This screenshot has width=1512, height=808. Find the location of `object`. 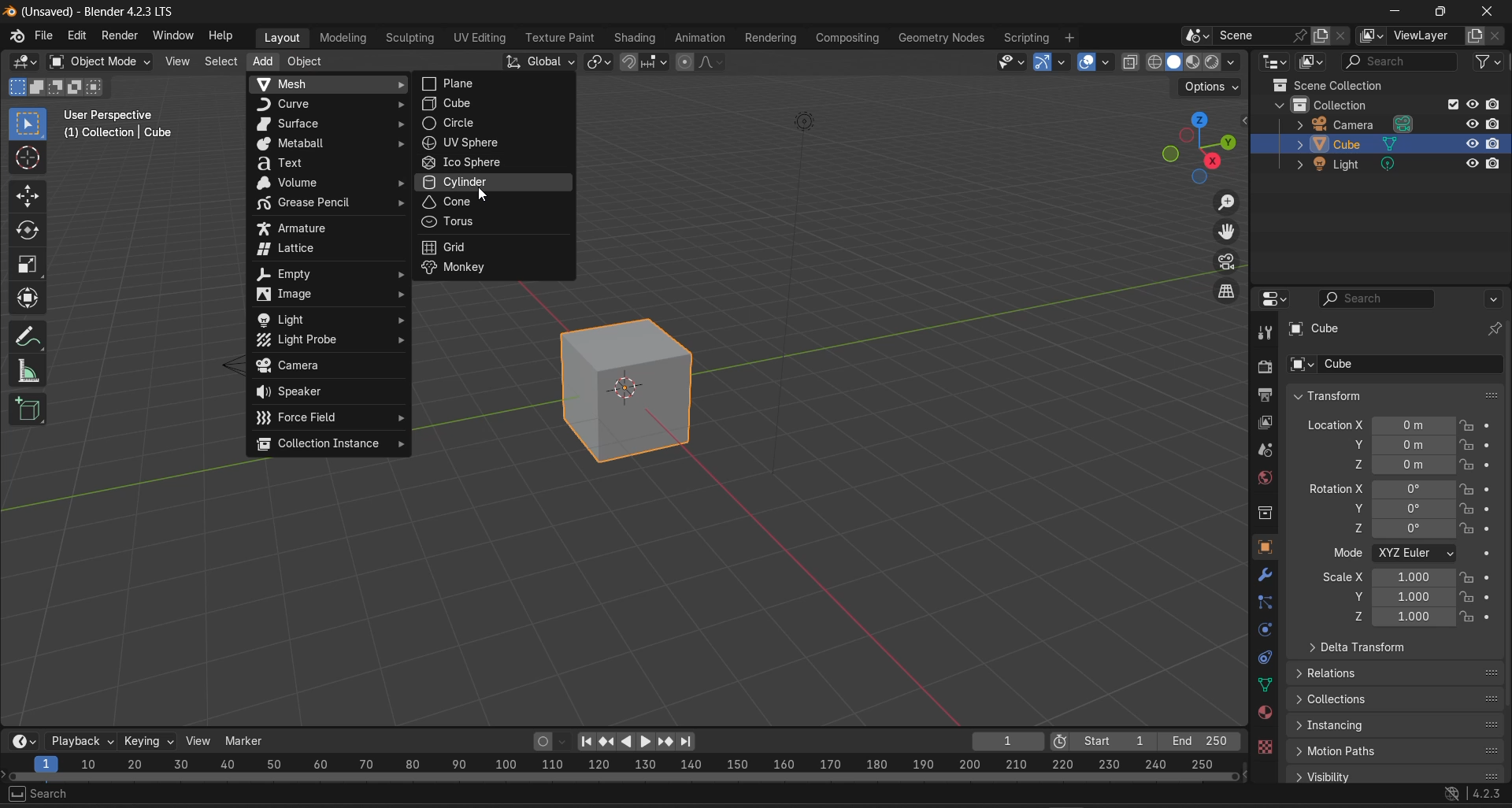

object is located at coordinates (306, 61).